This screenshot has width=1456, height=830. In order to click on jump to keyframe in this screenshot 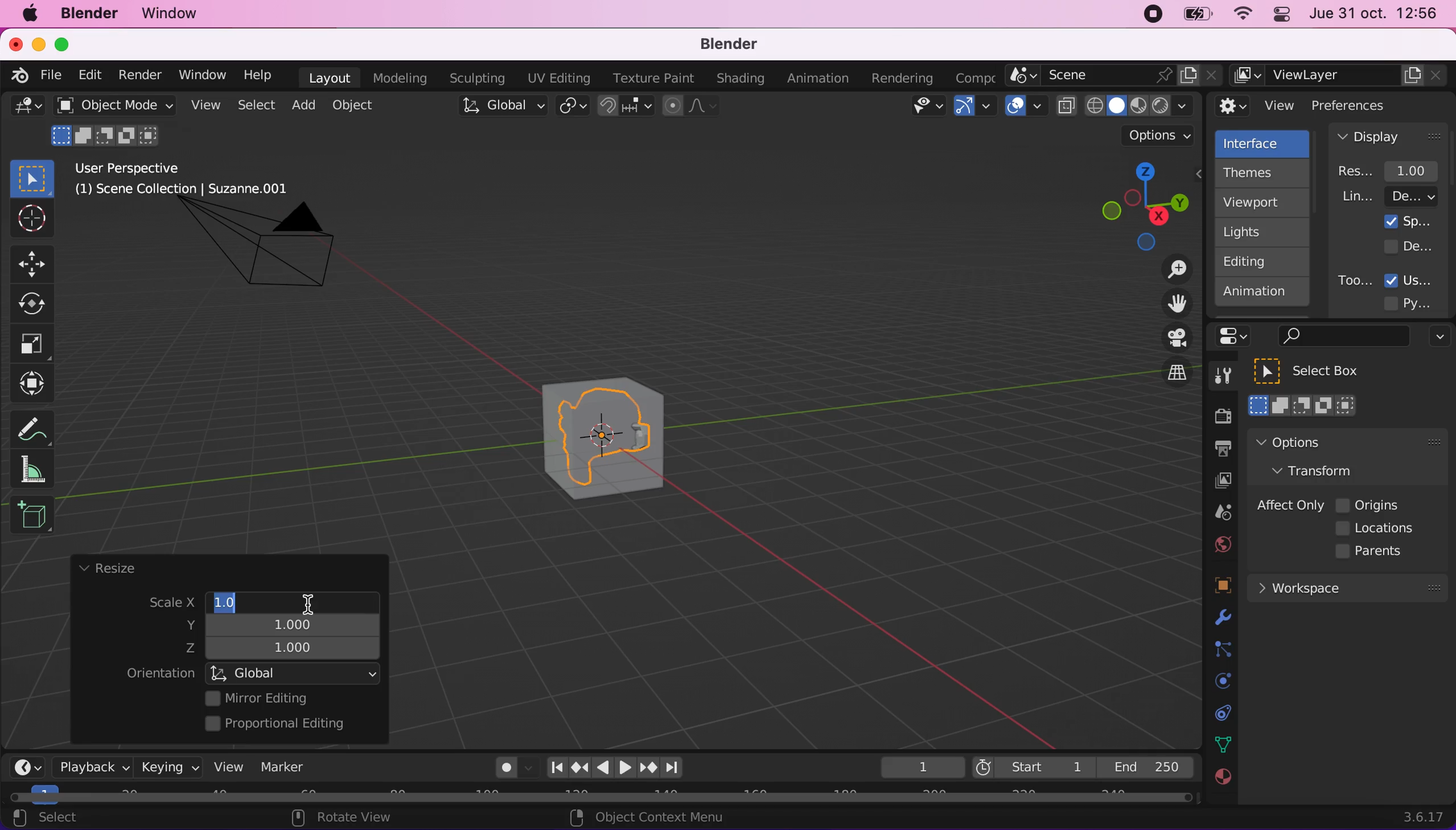, I will do `click(649, 770)`.